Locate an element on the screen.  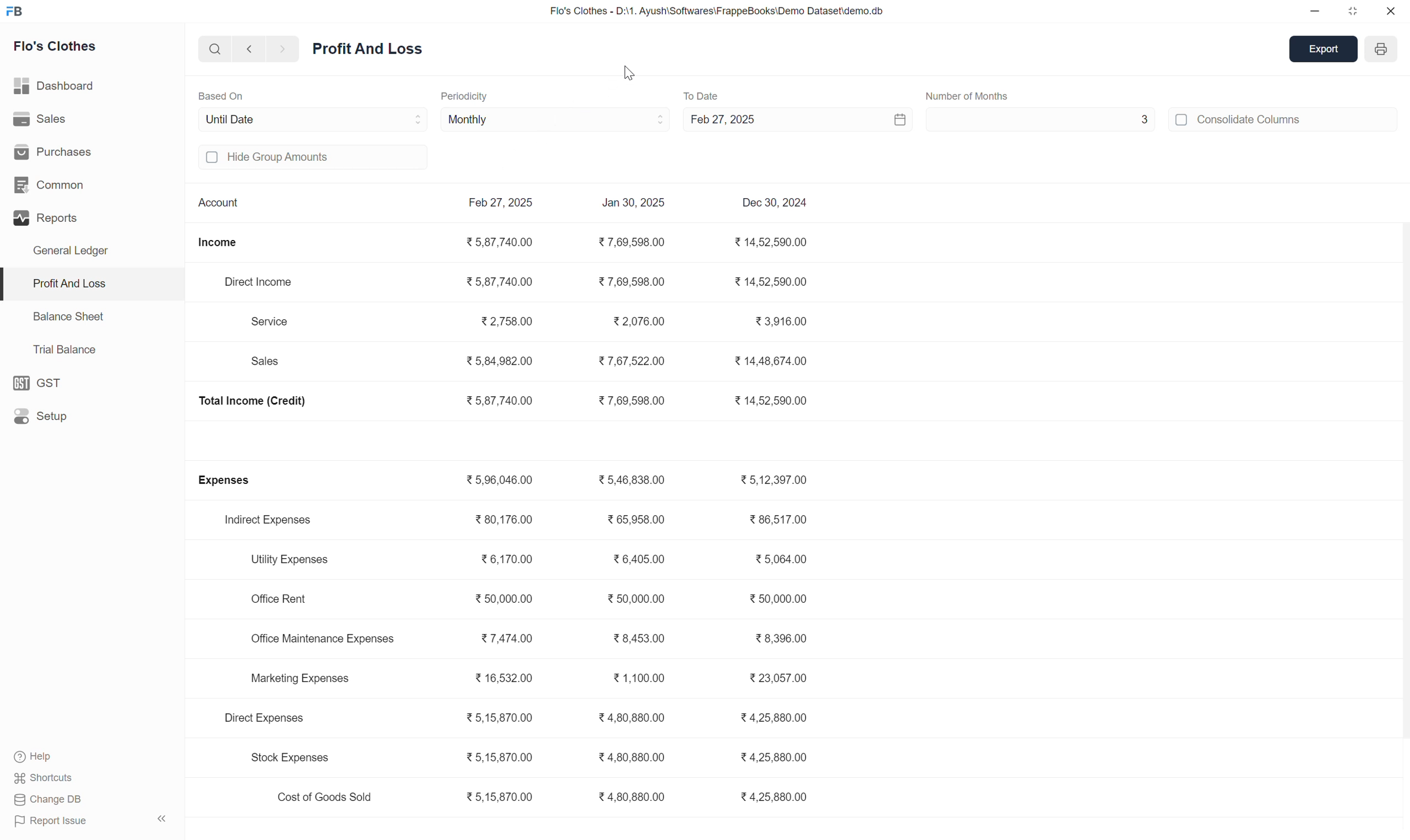
₹7,69,598.00 is located at coordinates (629, 403).